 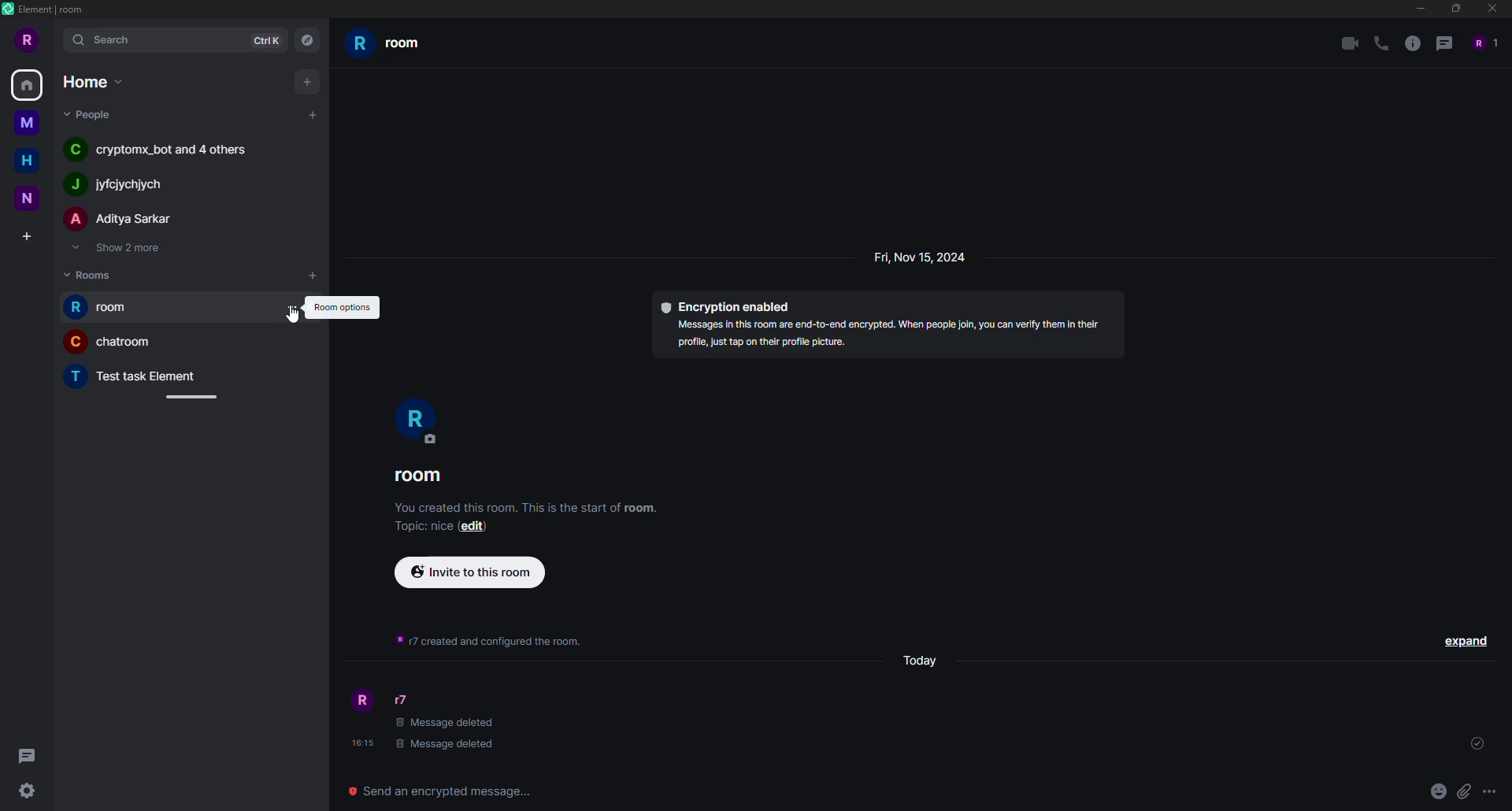 What do you see at coordinates (482, 640) in the screenshot?
I see `info` at bounding box center [482, 640].